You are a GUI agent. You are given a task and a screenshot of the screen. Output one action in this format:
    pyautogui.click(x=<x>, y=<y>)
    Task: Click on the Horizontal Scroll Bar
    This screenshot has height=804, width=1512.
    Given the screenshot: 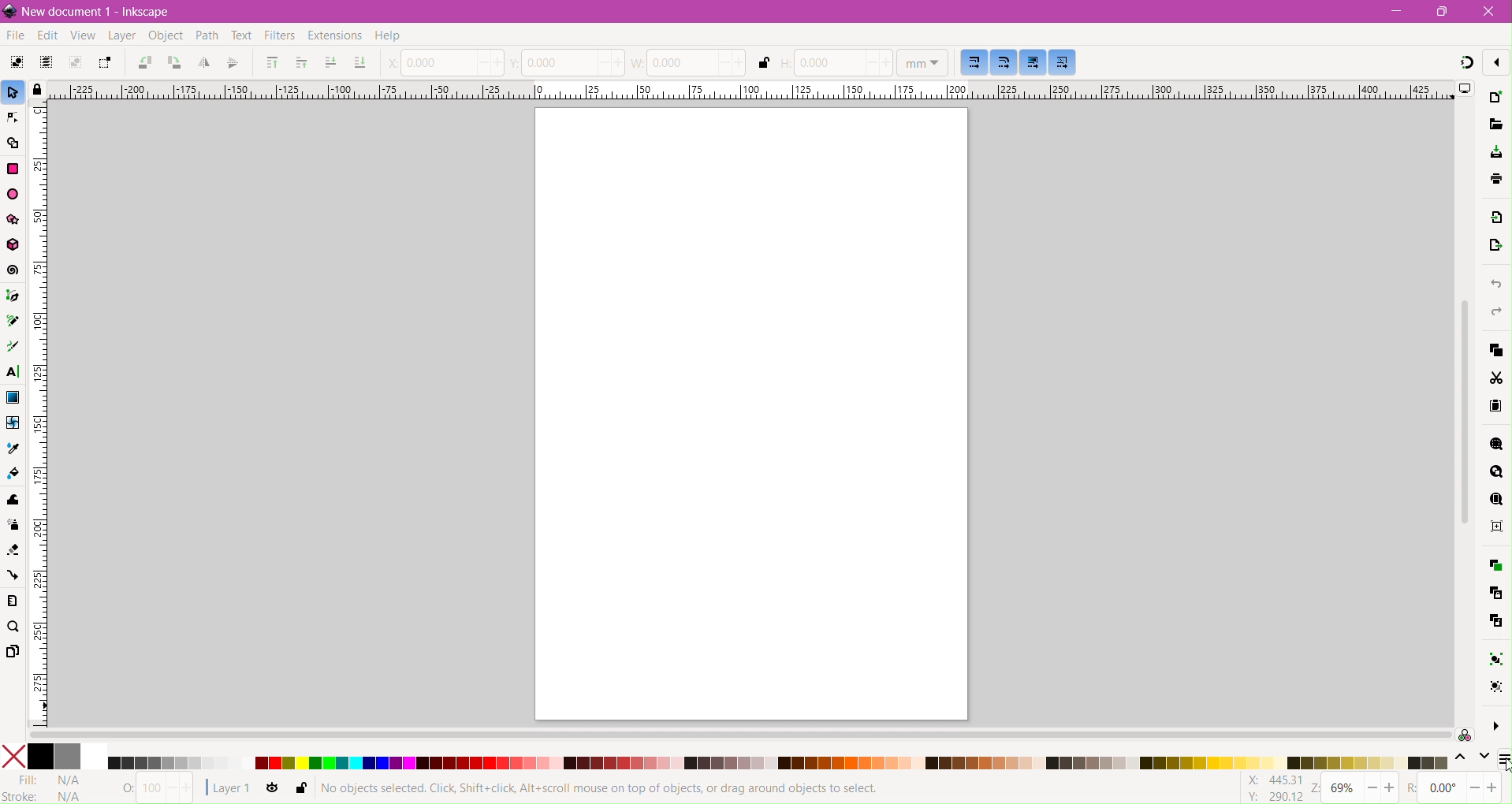 What is the action you would take?
    pyautogui.click(x=737, y=735)
    